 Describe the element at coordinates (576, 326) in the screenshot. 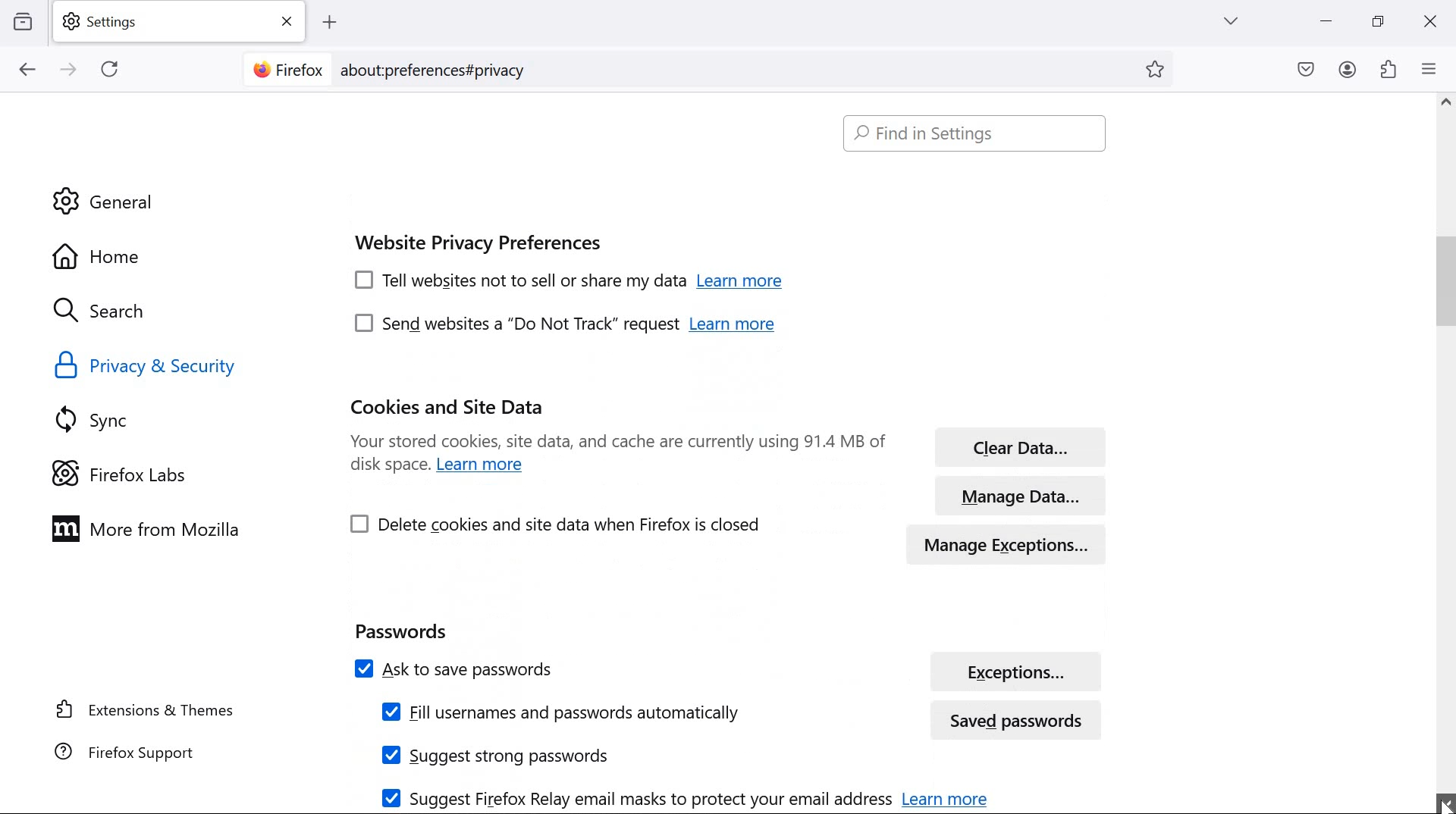

I see `[7] send websites a “Do Not Track” request Learn more` at that location.